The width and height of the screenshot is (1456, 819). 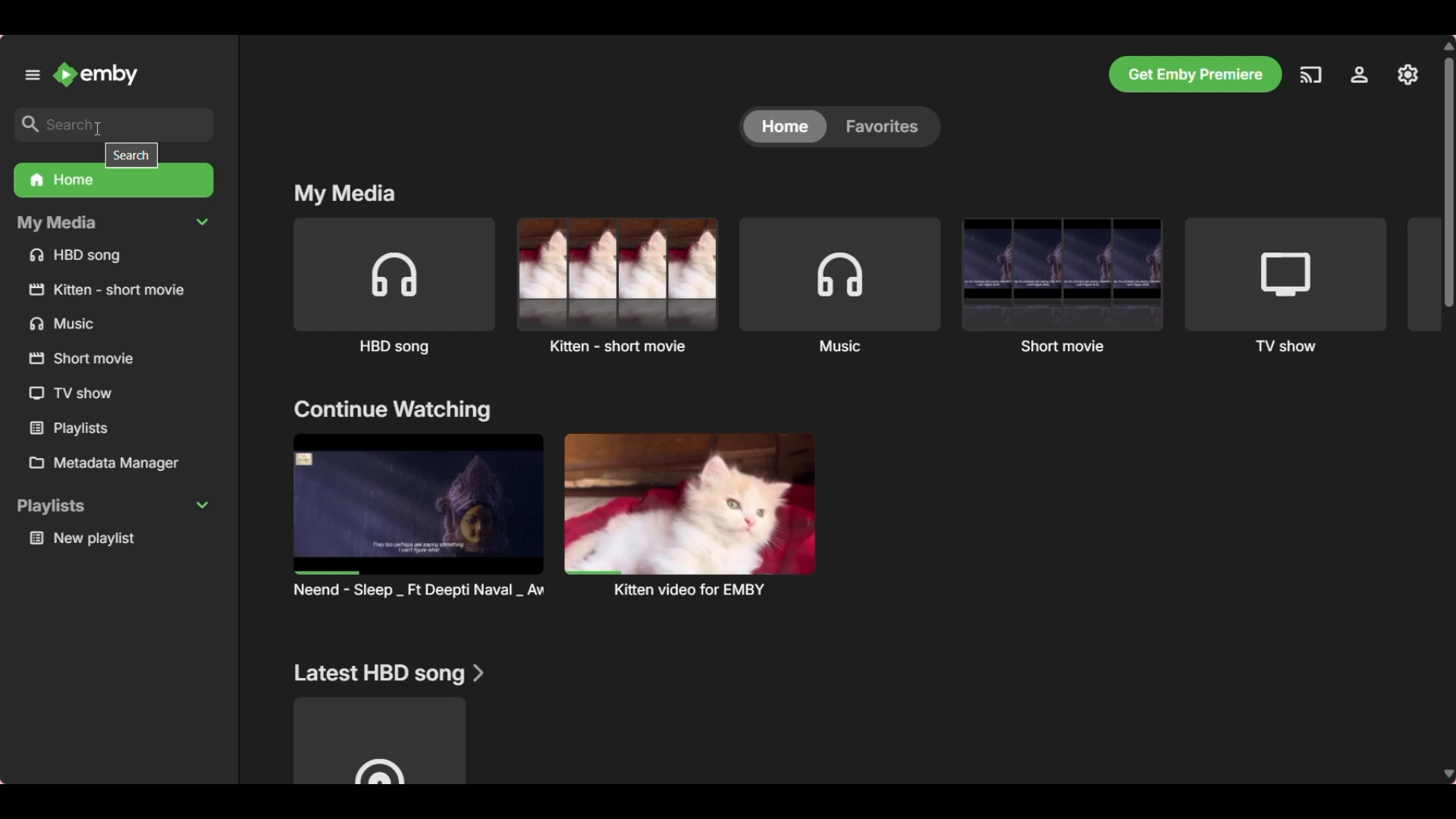 I want to click on Get Emby premier, so click(x=1197, y=74).